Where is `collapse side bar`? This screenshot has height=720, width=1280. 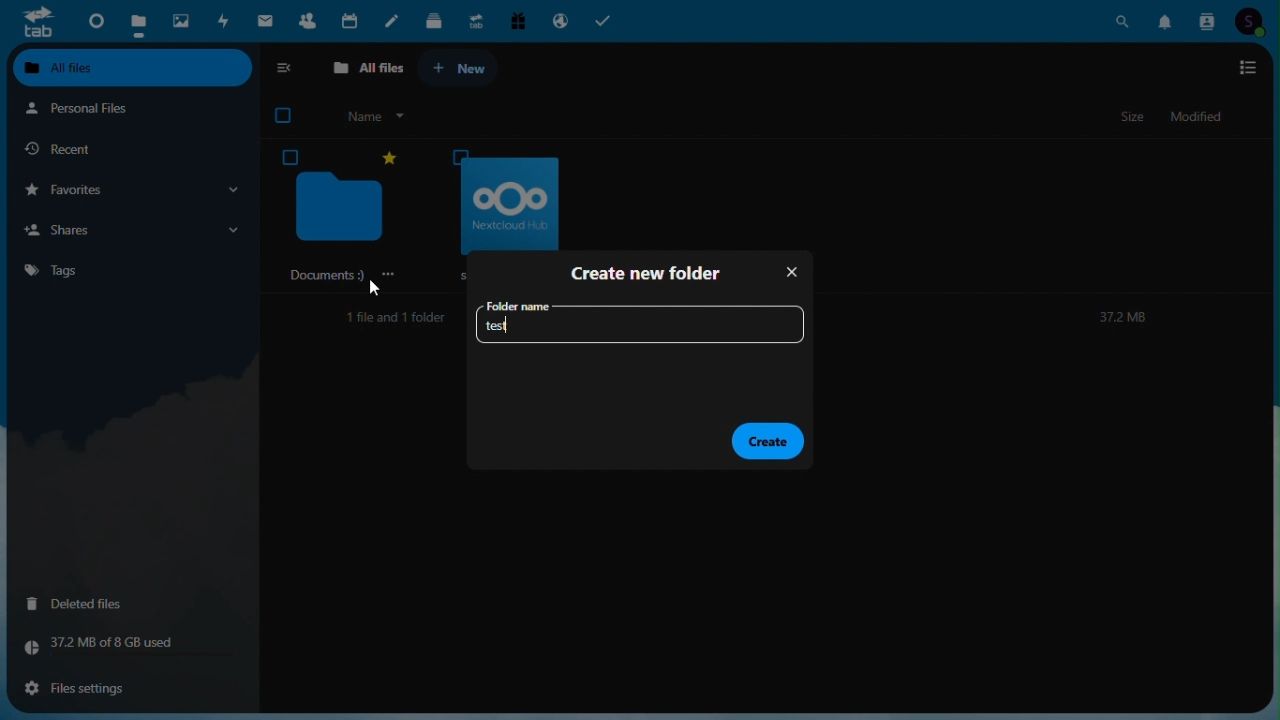
collapse side bar is located at coordinates (287, 65).